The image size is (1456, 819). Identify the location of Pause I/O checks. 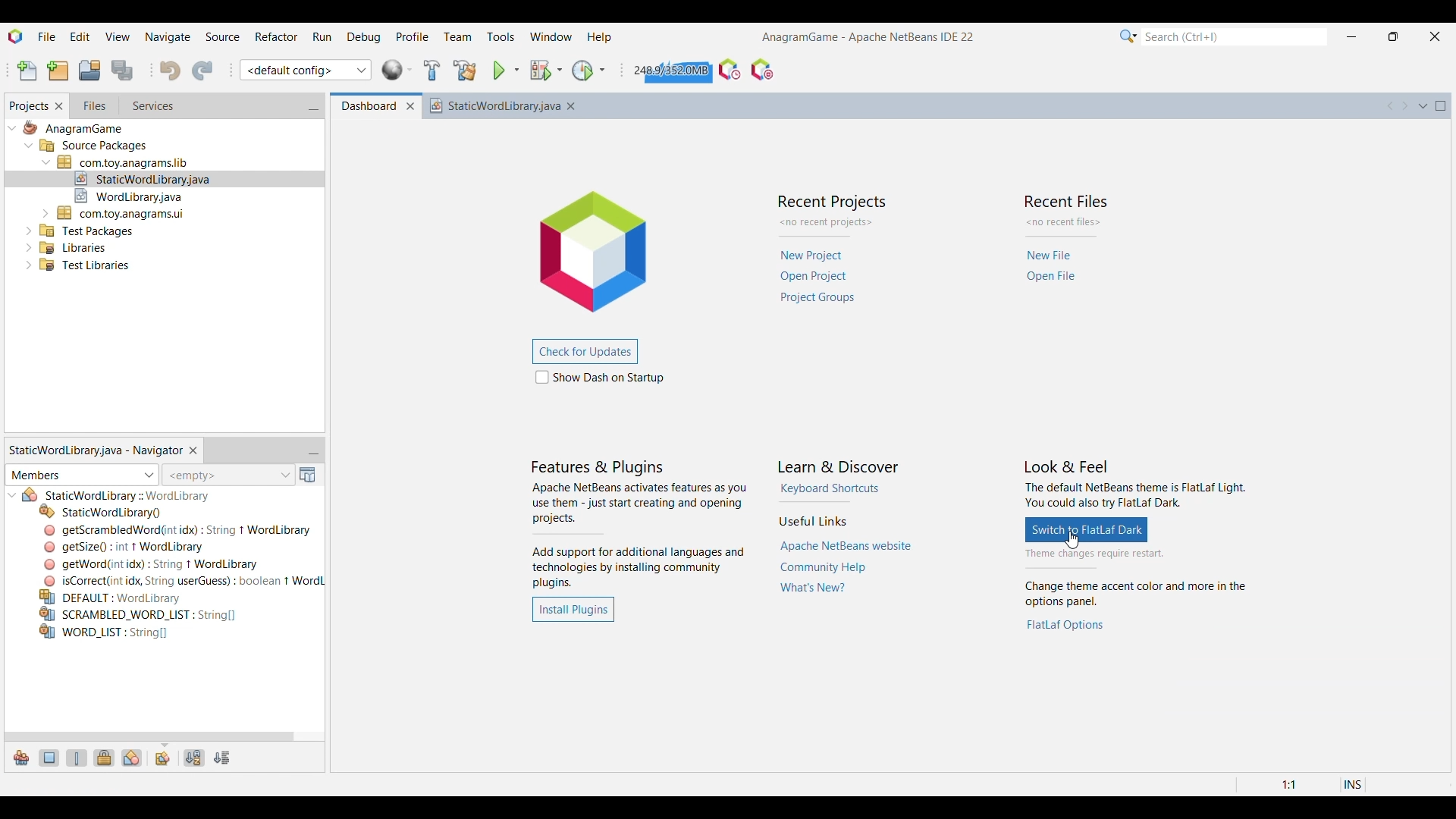
(762, 70).